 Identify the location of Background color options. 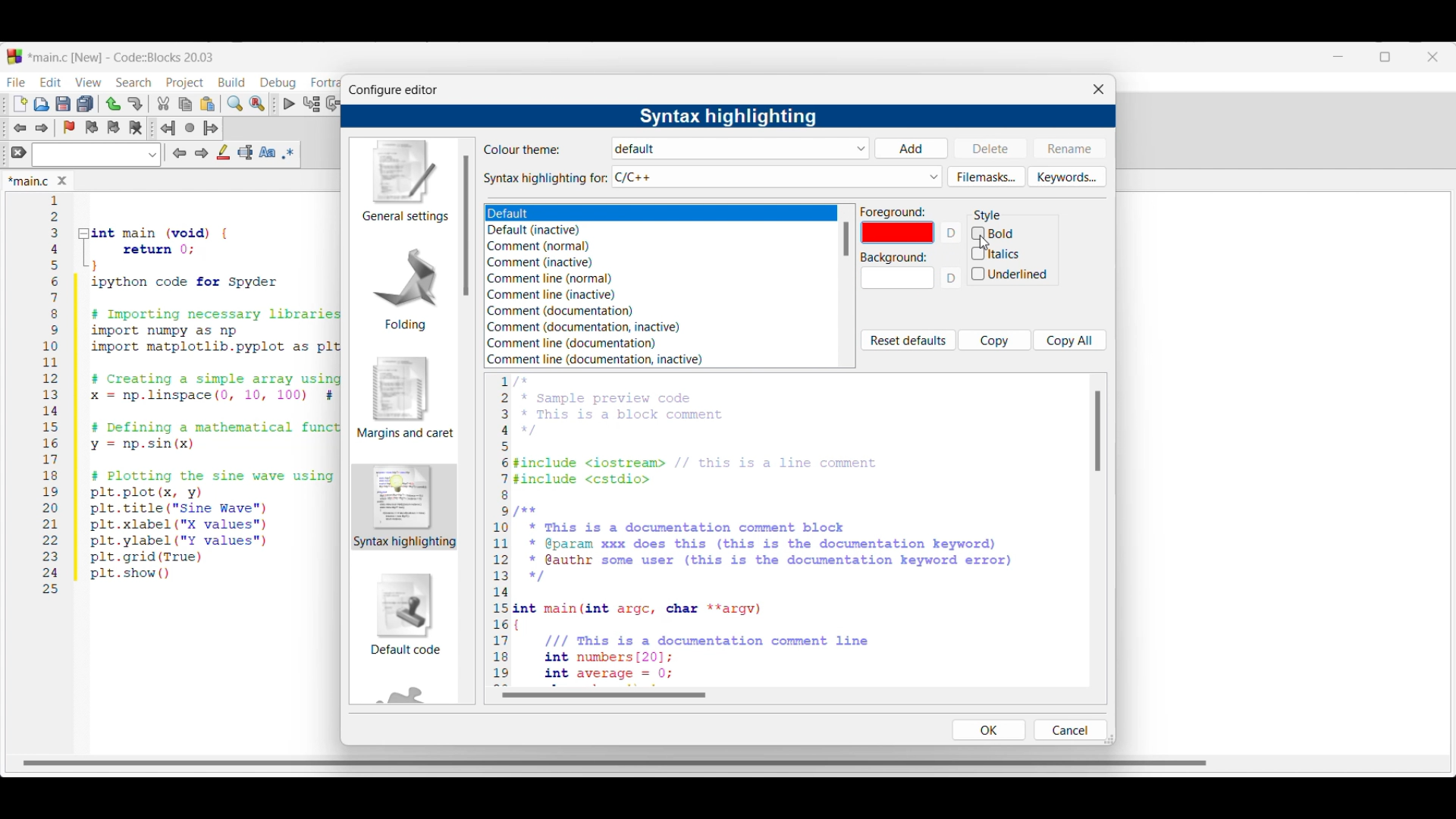
(898, 281).